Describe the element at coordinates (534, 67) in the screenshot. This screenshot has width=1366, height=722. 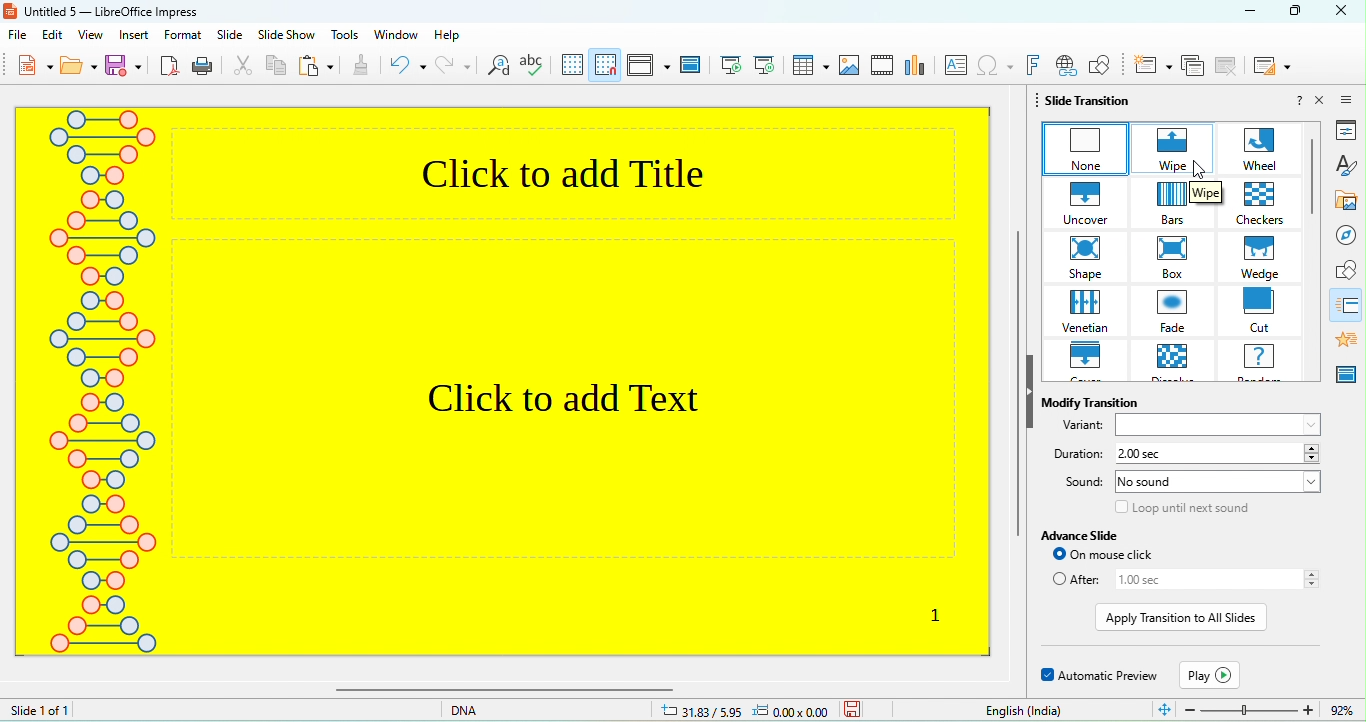
I see `spelling` at that location.